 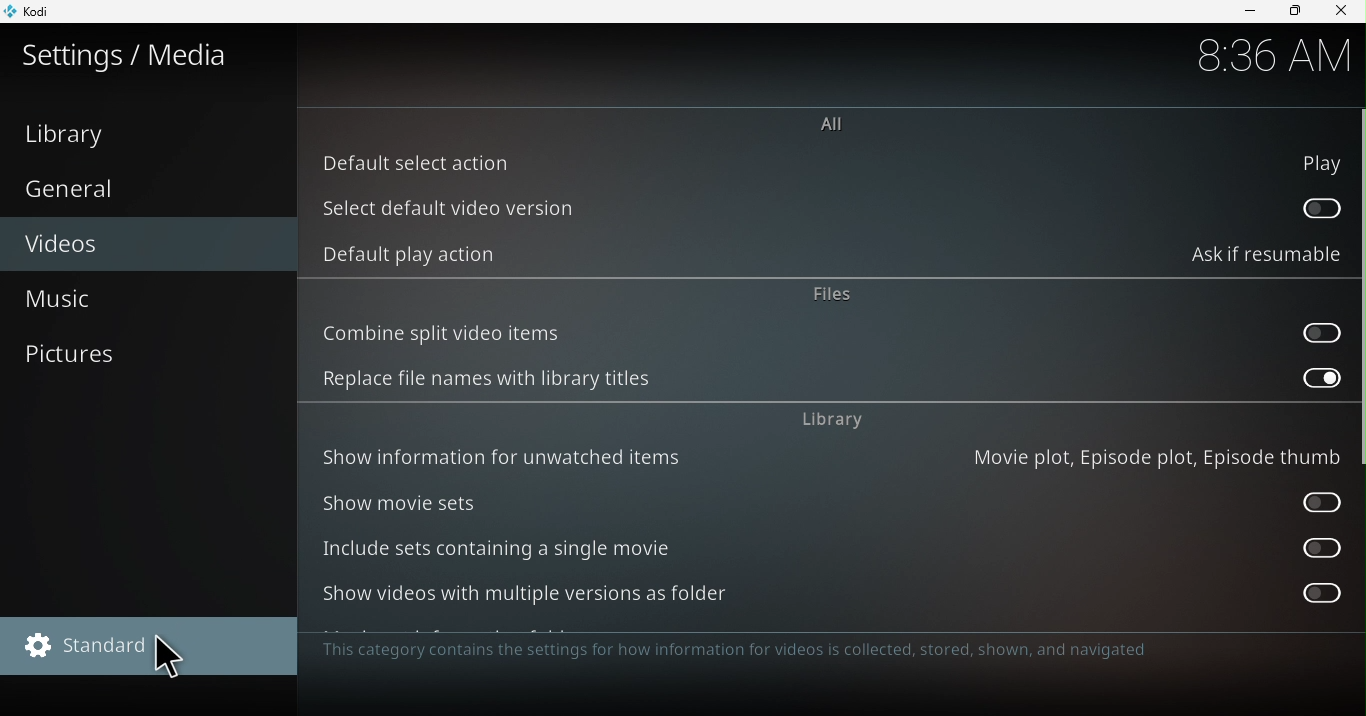 What do you see at coordinates (146, 353) in the screenshot?
I see `Pictures` at bounding box center [146, 353].